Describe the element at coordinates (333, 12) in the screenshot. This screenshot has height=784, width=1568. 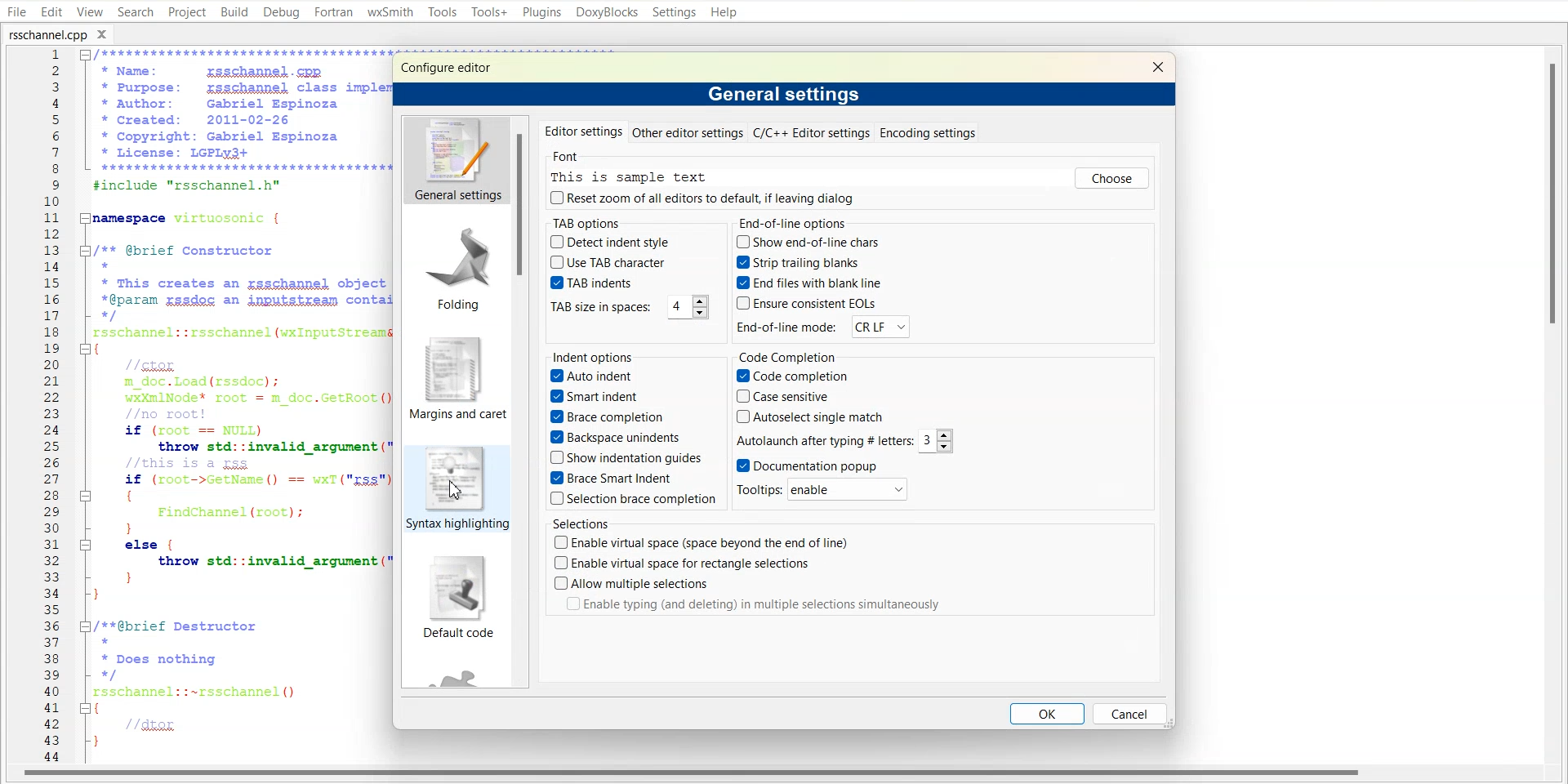
I see `Fortran` at that location.